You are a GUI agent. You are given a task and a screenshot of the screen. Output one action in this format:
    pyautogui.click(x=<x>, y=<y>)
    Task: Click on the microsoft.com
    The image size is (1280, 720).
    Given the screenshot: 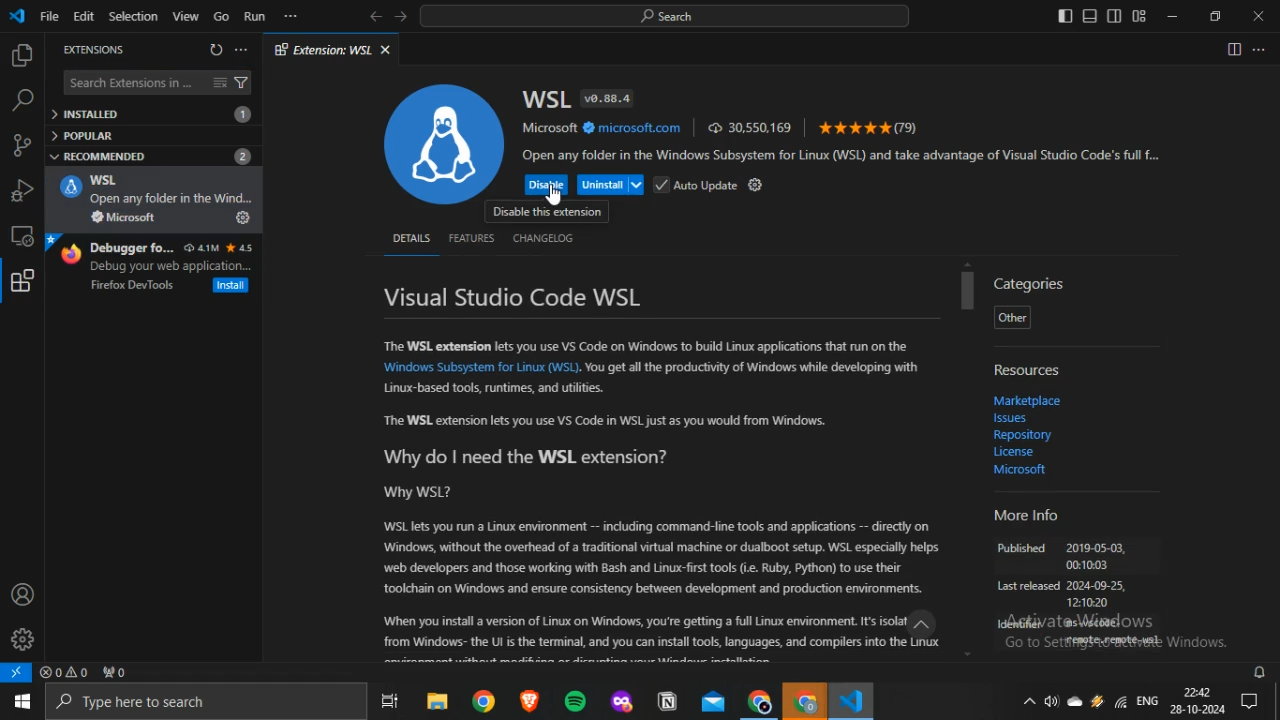 What is the action you would take?
    pyautogui.click(x=633, y=128)
    